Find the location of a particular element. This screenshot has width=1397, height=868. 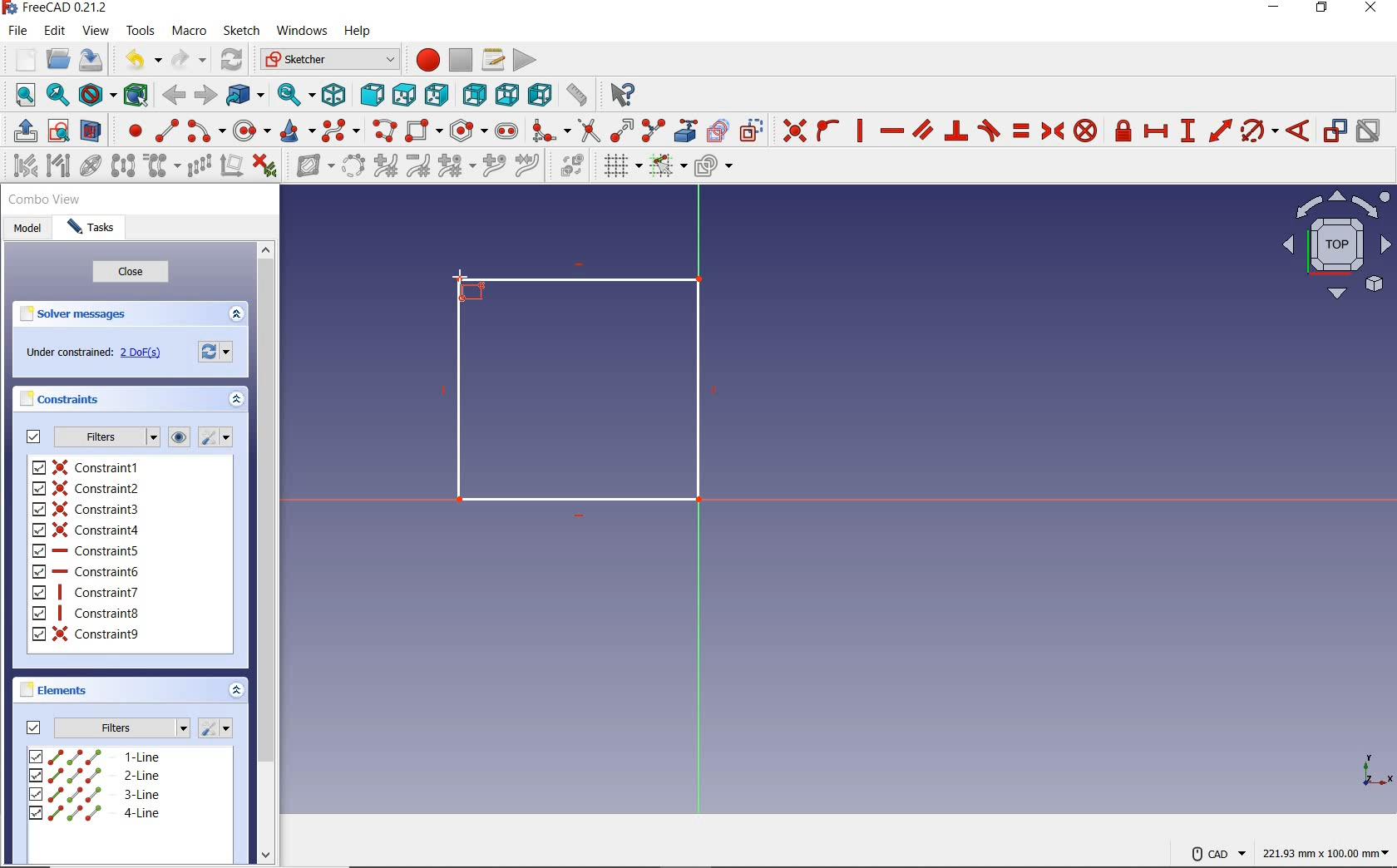

view section is located at coordinates (91, 131).